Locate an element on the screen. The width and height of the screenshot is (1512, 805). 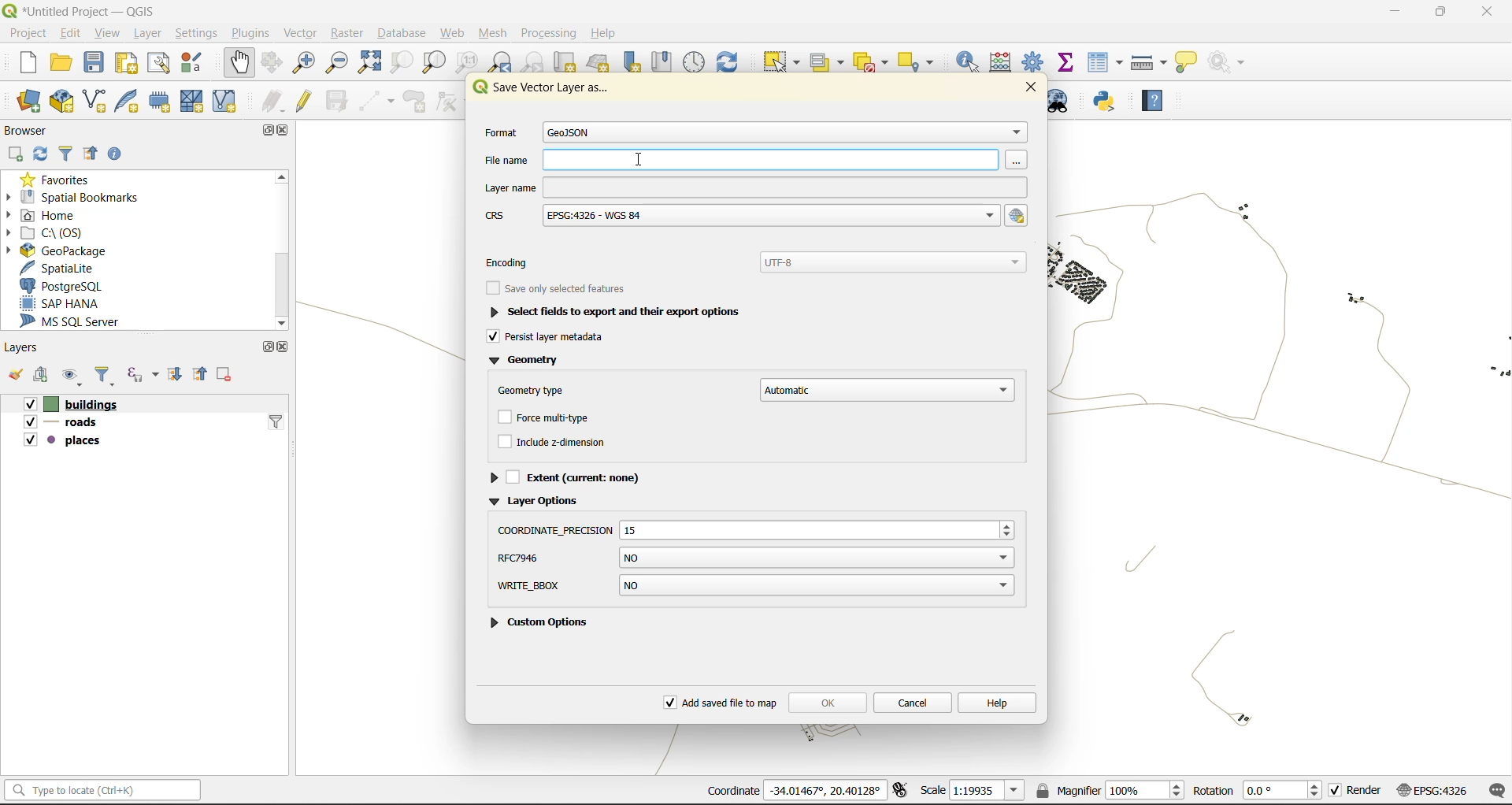
rotation is located at coordinates (1258, 791).